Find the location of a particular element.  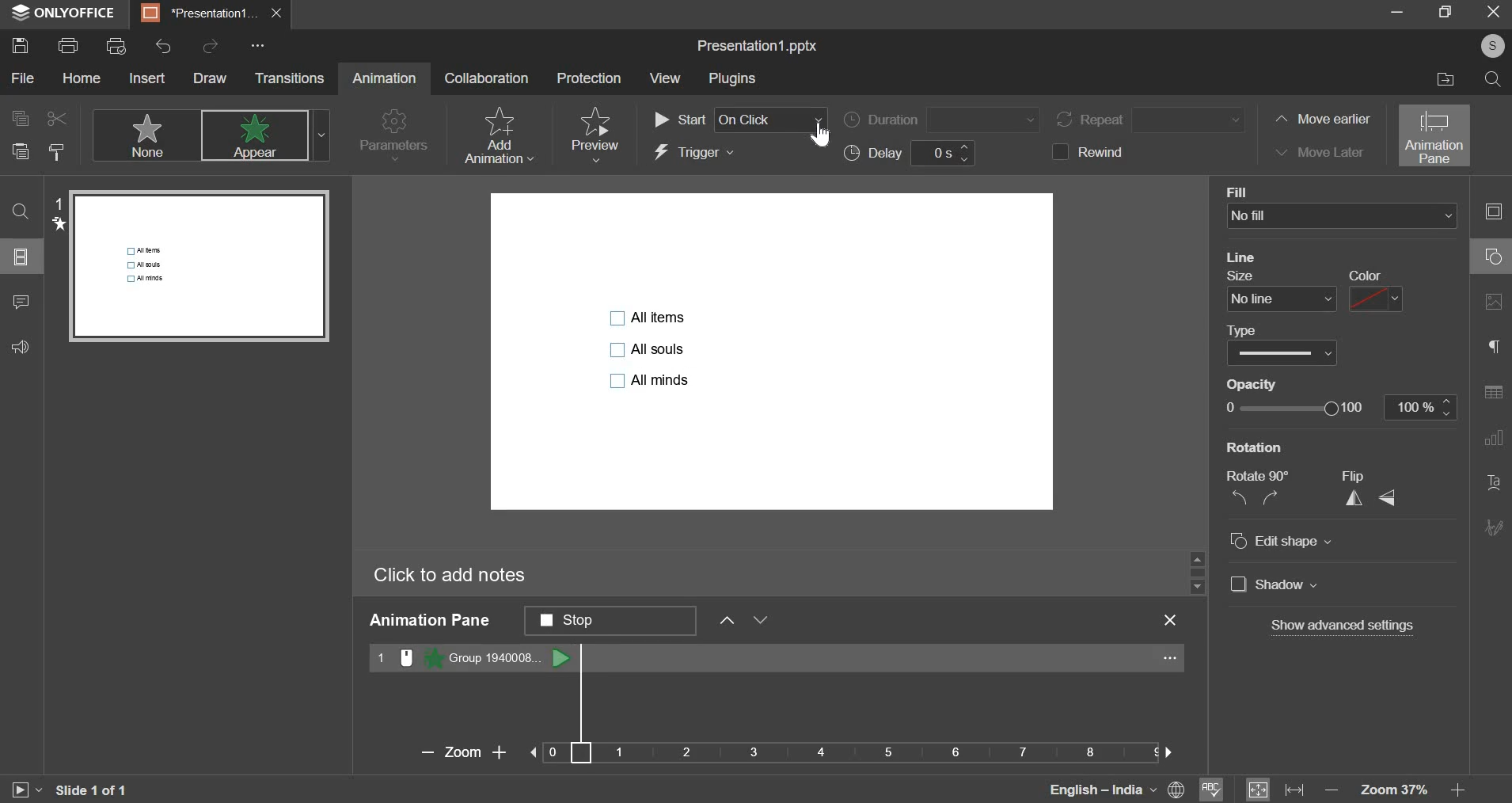

copy is located at coordinates (18, 117).